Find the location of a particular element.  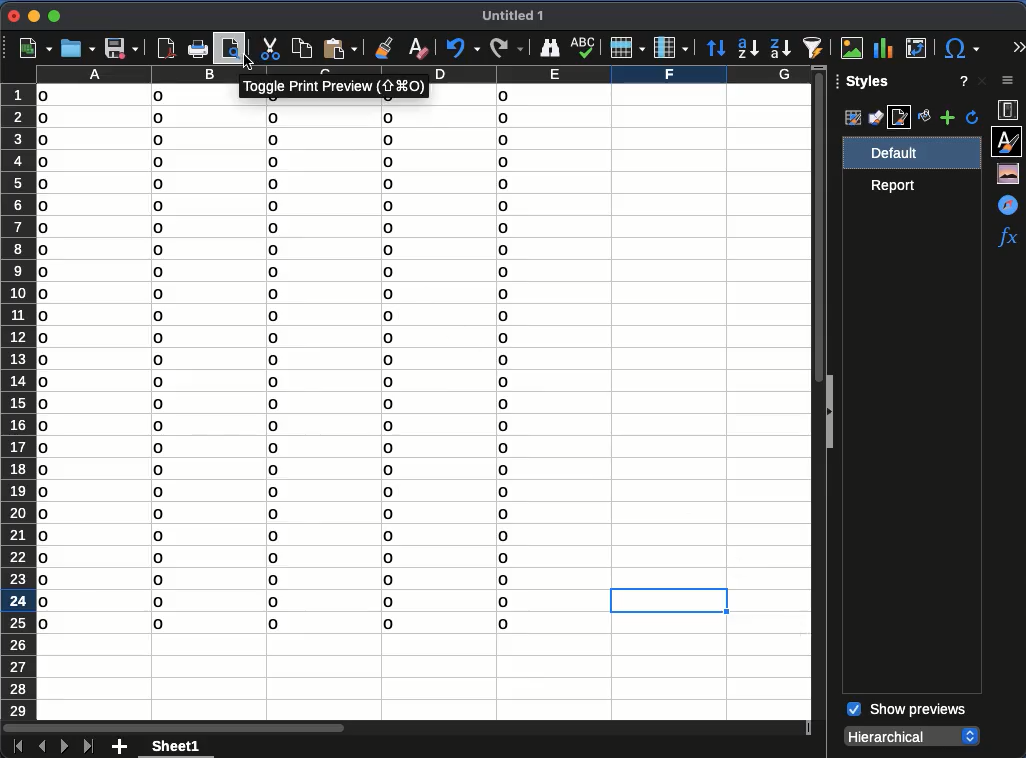

expand is located at coordinates (1016, 45).